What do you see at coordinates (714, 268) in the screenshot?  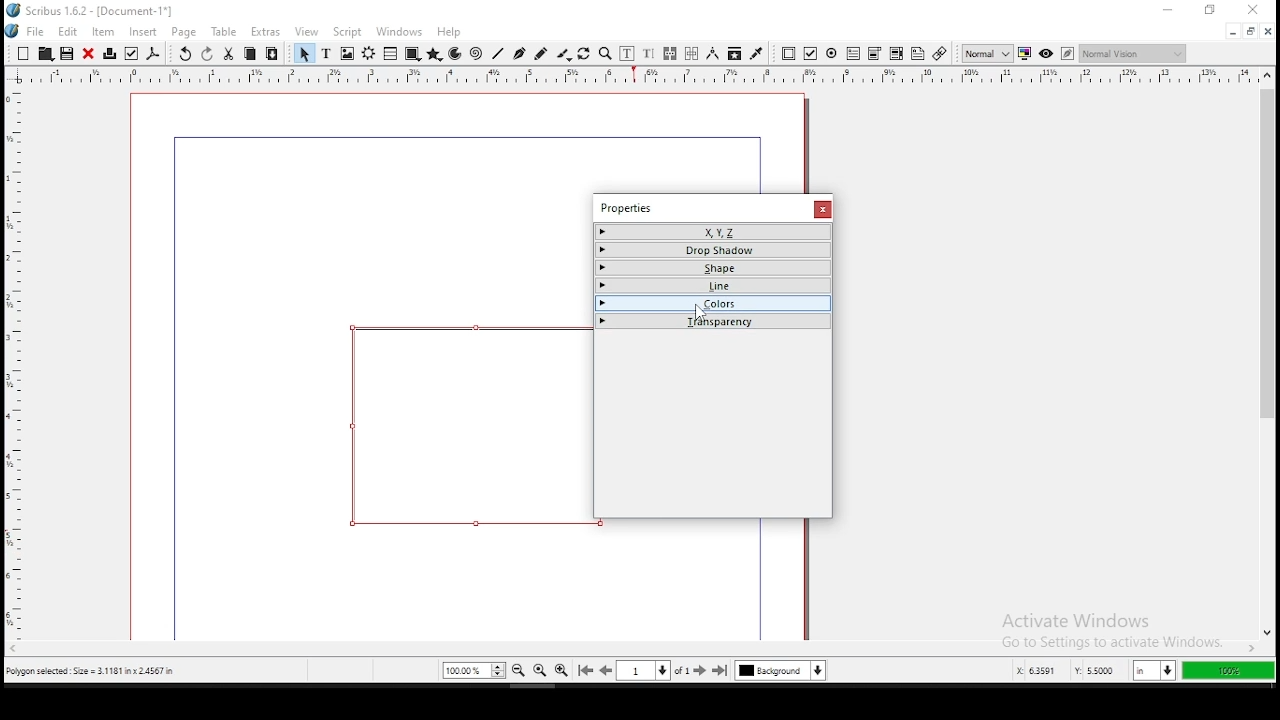 I see `shape` at bounding box center [714, 268].